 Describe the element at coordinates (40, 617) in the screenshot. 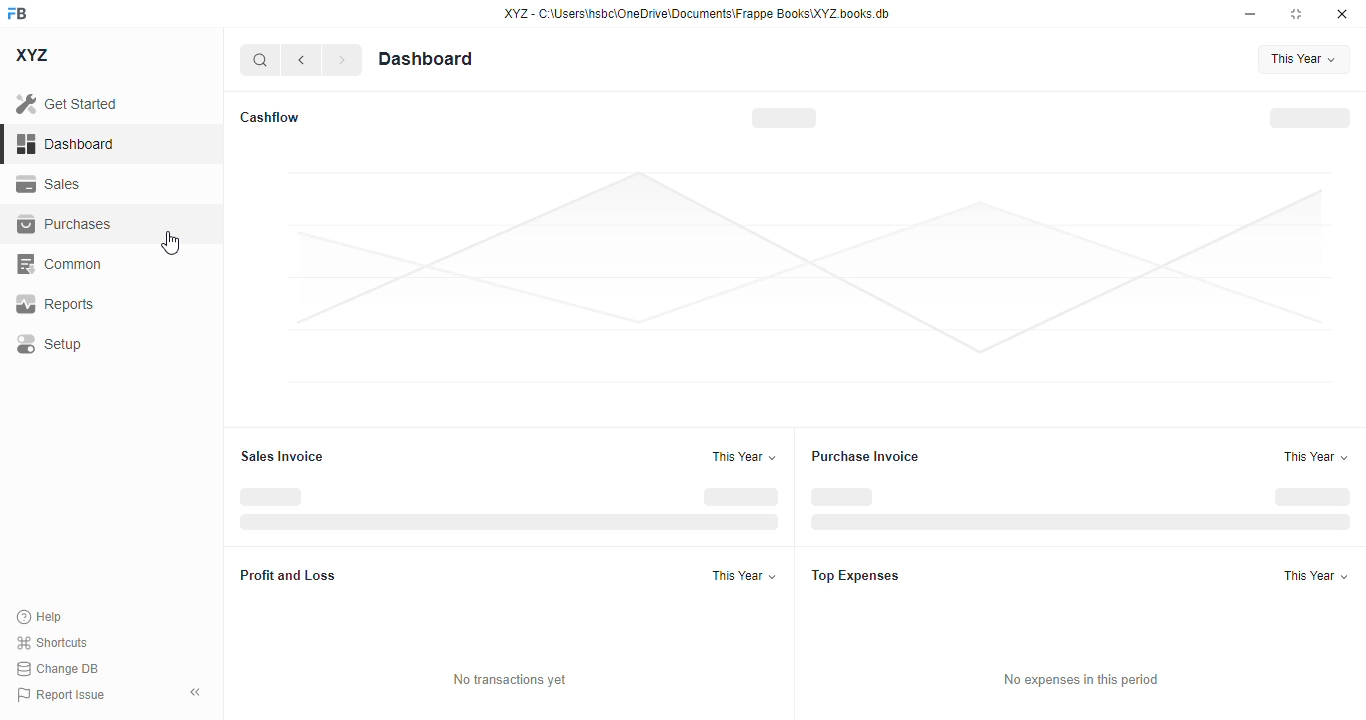

I see `help` at that location.